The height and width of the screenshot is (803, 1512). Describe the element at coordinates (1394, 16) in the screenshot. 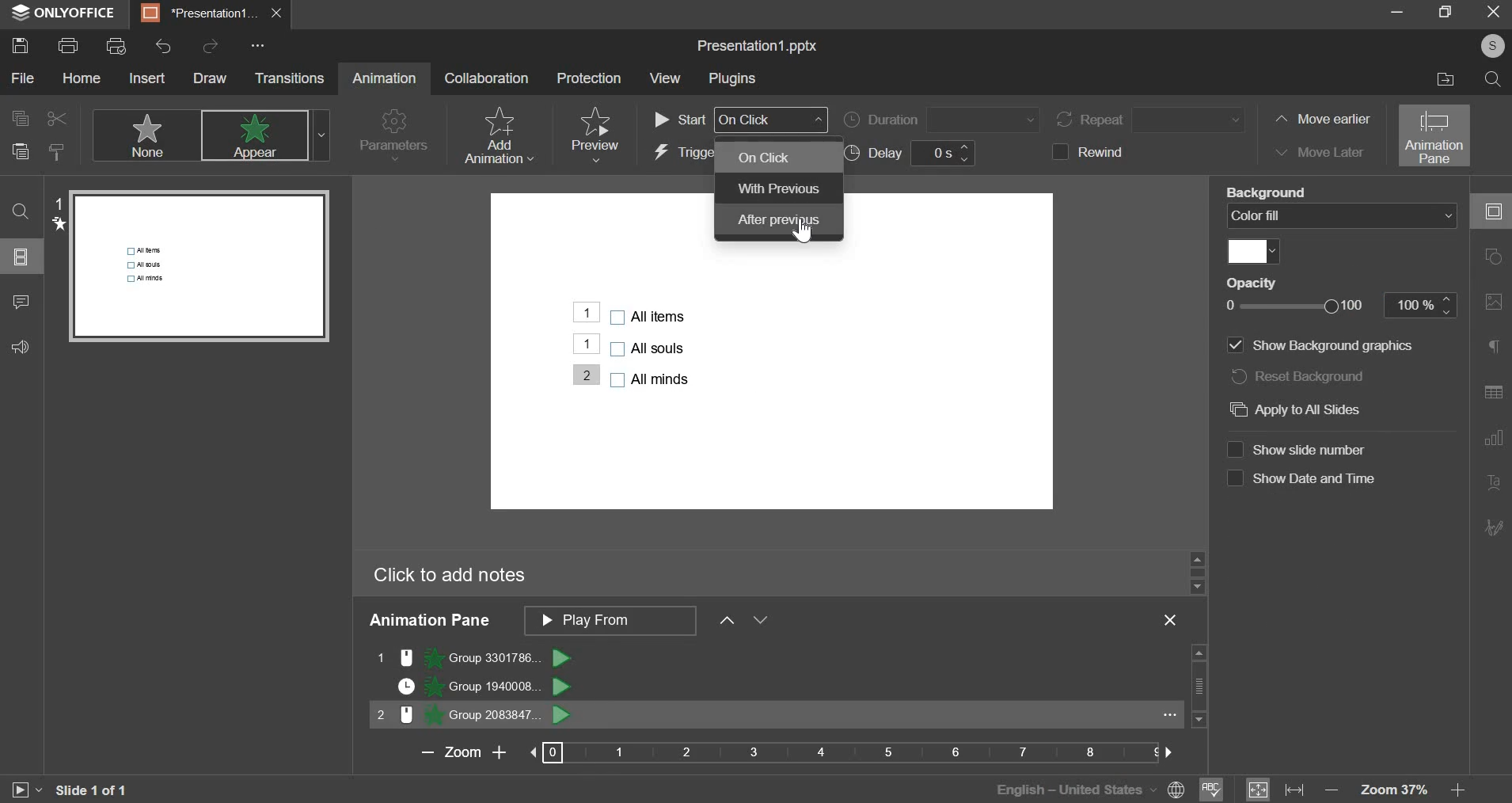

I see `minimize` at that location.